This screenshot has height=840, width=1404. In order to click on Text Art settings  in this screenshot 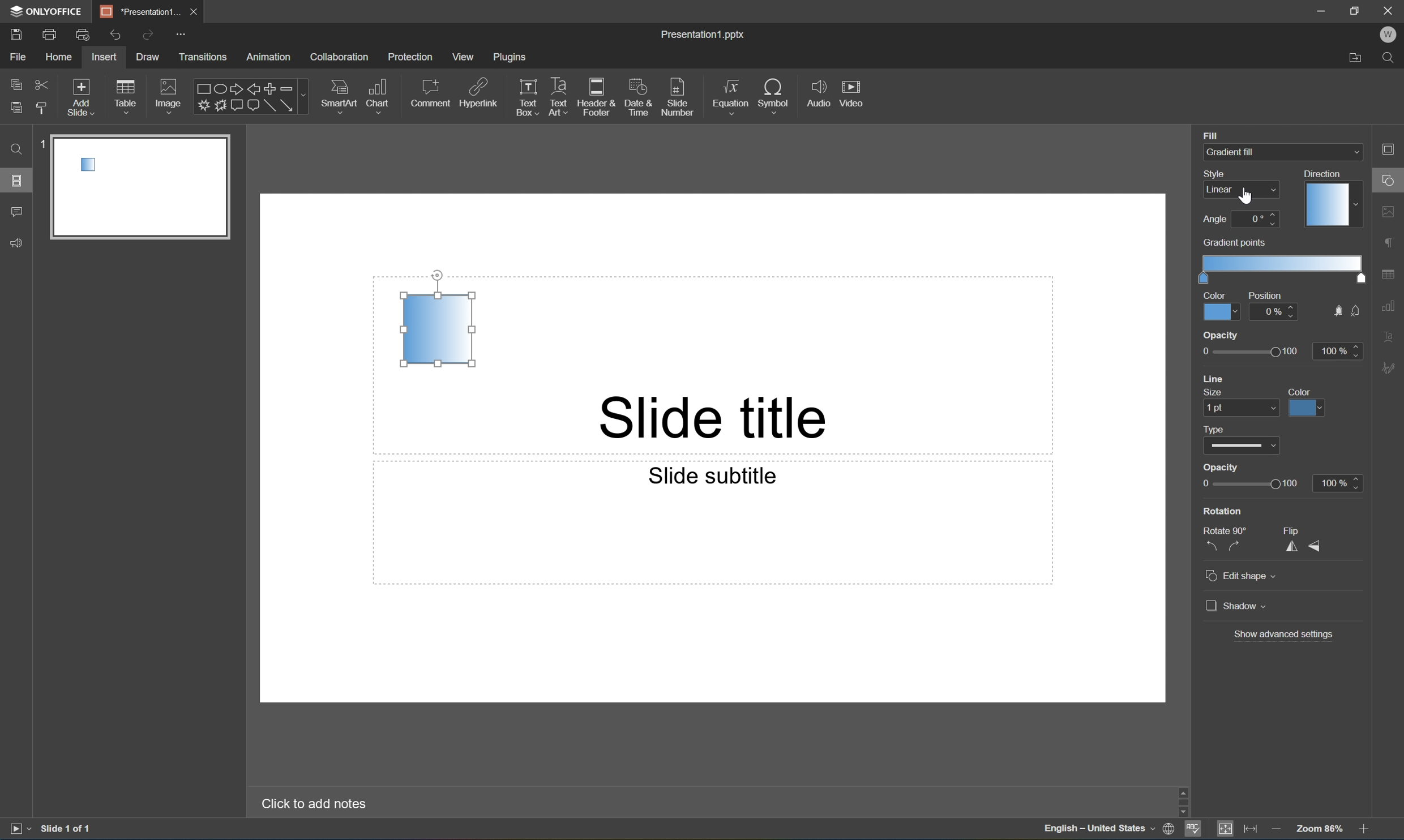, I will do `click(1392, 335)`.